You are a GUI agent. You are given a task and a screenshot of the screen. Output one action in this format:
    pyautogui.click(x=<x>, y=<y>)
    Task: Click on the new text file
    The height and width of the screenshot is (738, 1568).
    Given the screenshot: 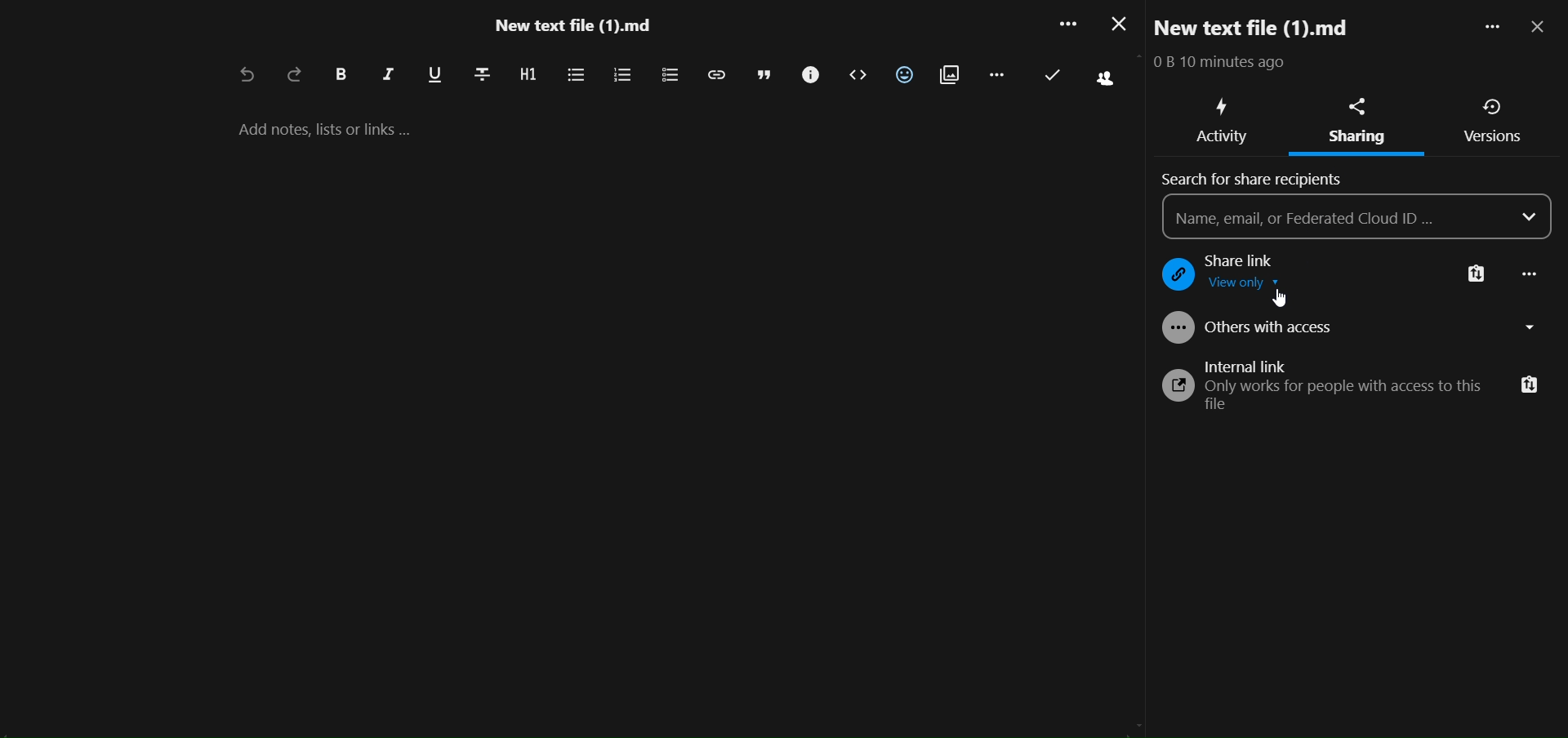 What is the action you would take?
    pyautogui.click(x=1270, y=27)
    